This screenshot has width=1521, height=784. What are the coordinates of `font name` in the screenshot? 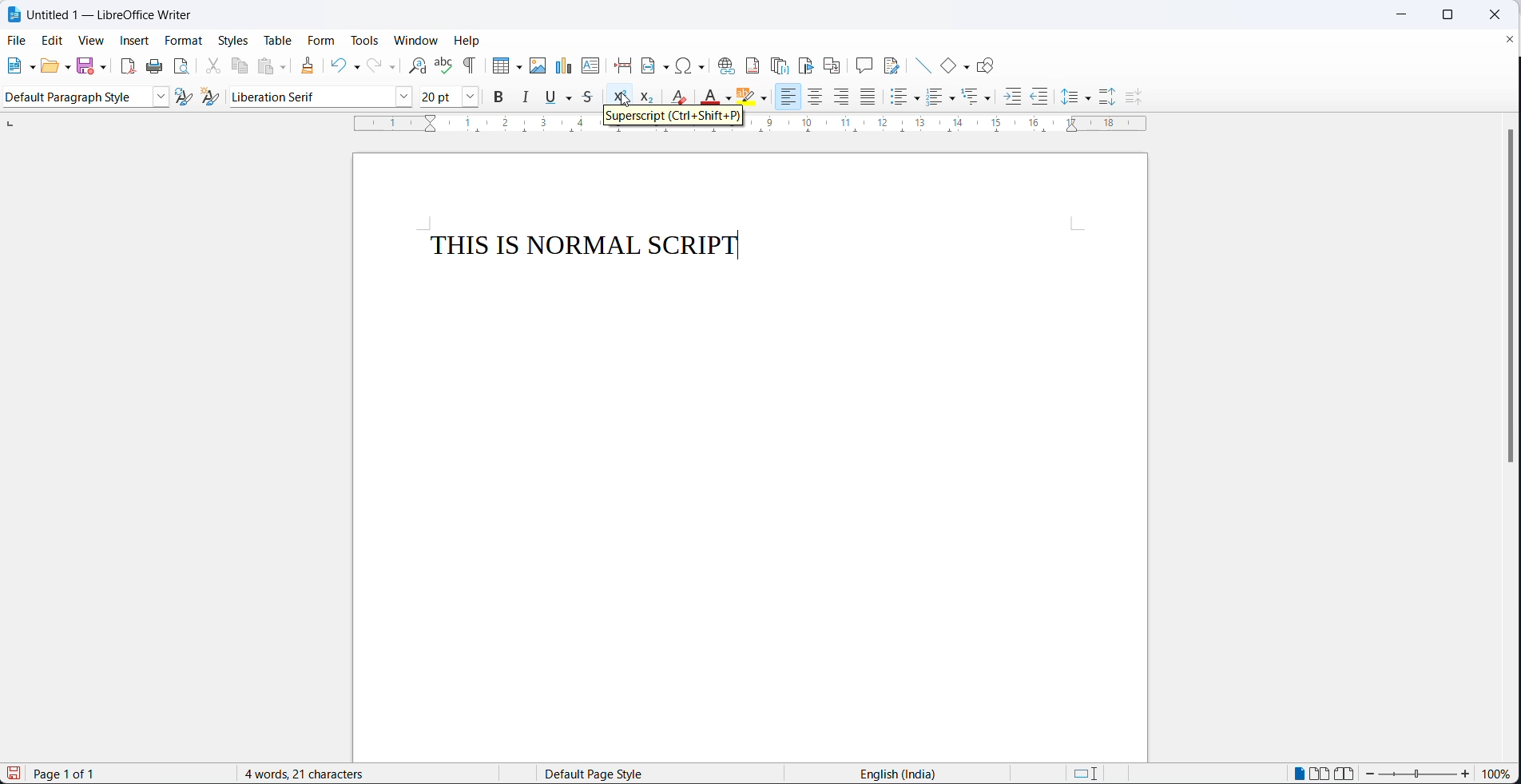 It's located at (311, 97).